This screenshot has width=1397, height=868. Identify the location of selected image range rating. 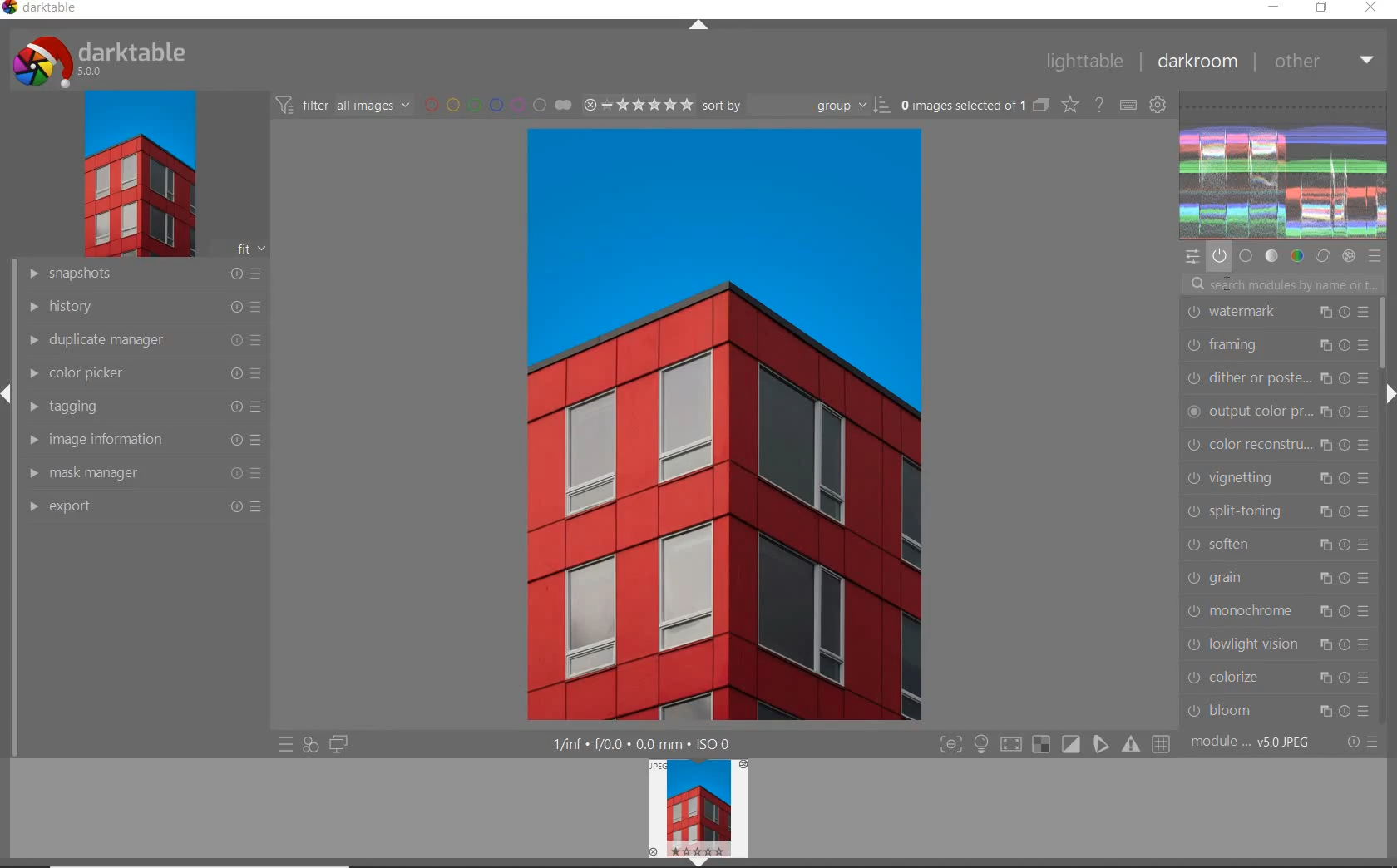
(636, 104).